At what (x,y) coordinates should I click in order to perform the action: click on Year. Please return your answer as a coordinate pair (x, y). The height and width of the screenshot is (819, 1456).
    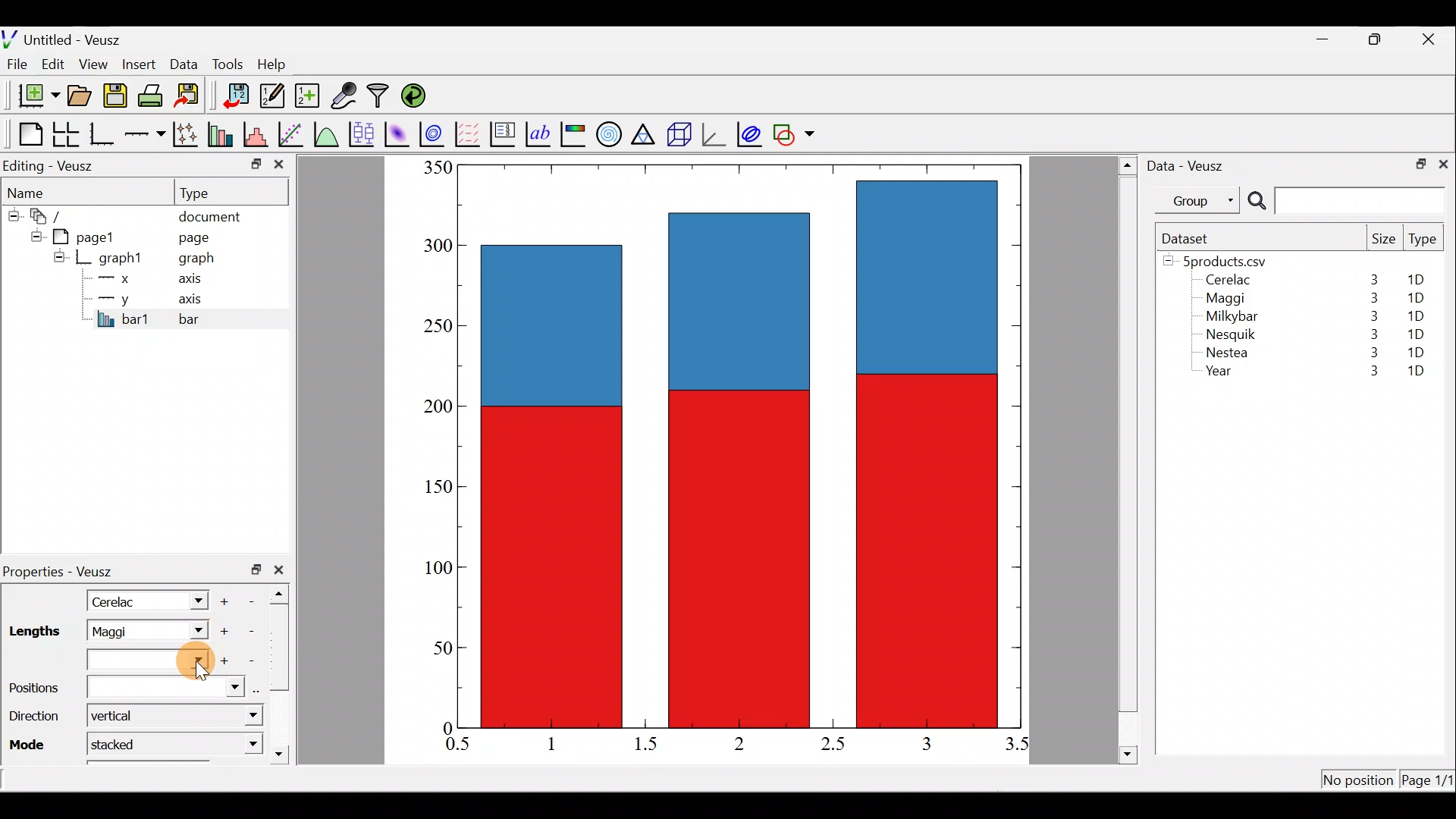
    Looking at the image, I should click on (1222, 375).